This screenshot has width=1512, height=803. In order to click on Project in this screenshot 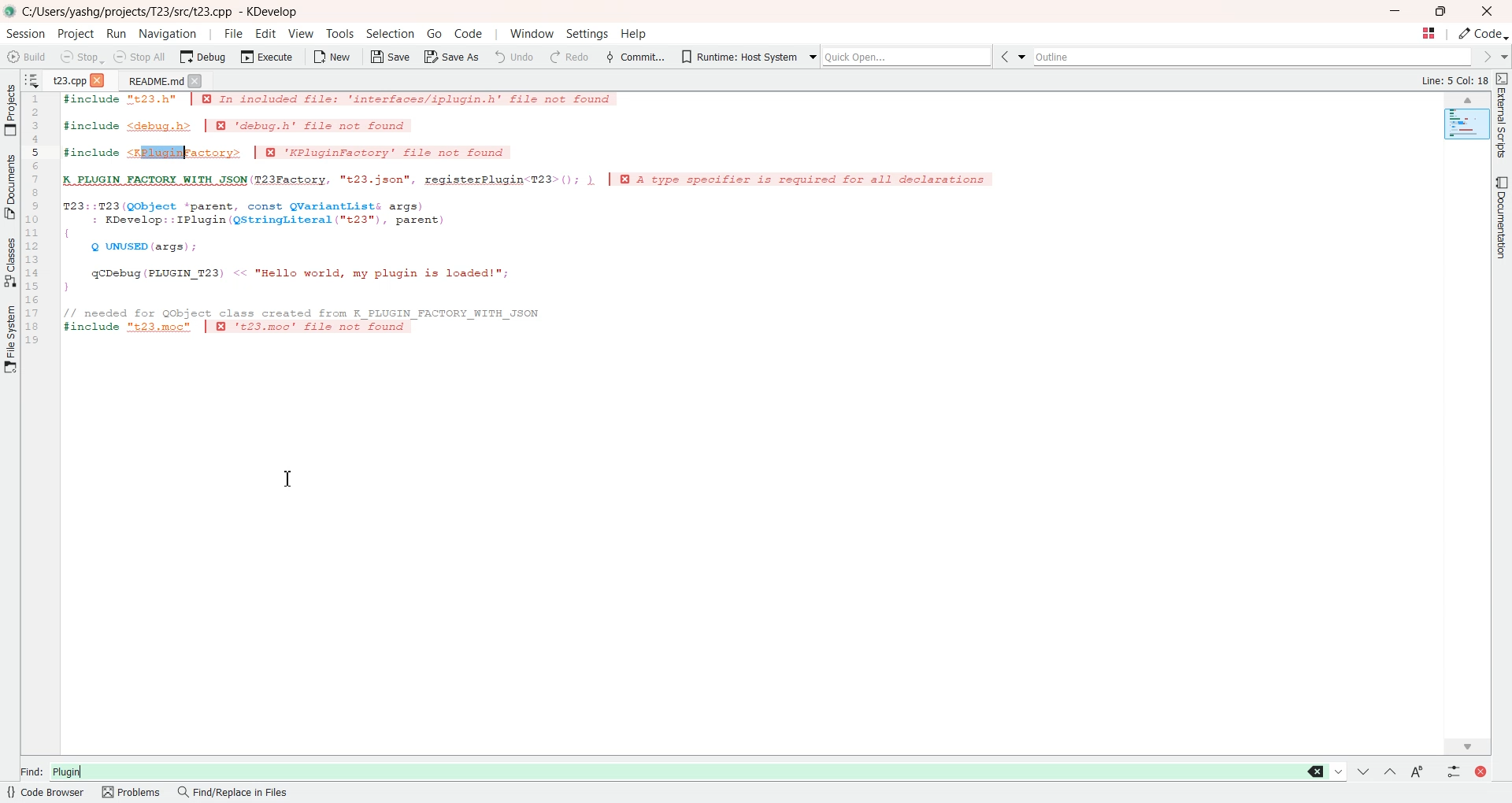, I will do `click(10, 109)`.